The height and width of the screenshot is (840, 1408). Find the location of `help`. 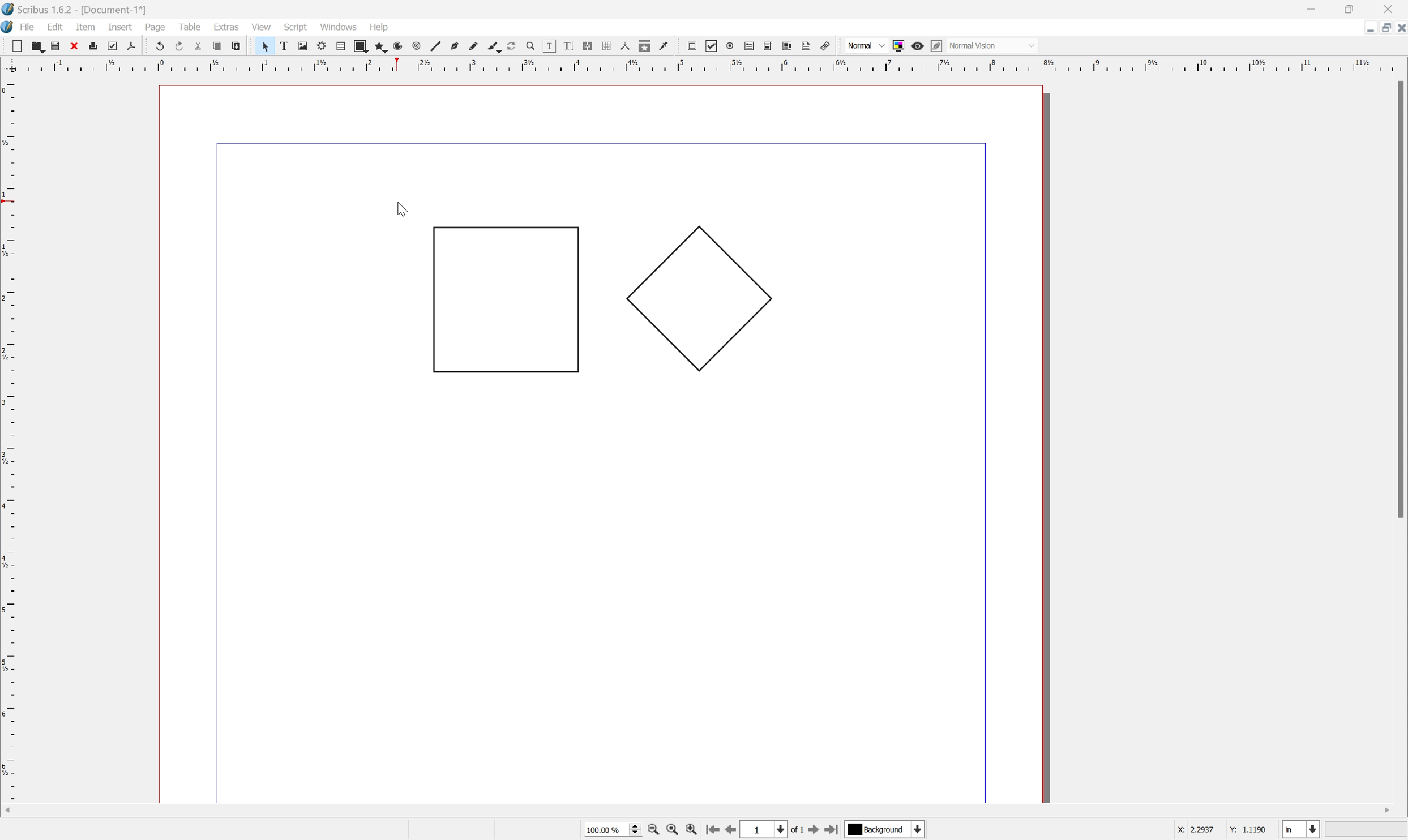

help is located at coordinates (381, 28).